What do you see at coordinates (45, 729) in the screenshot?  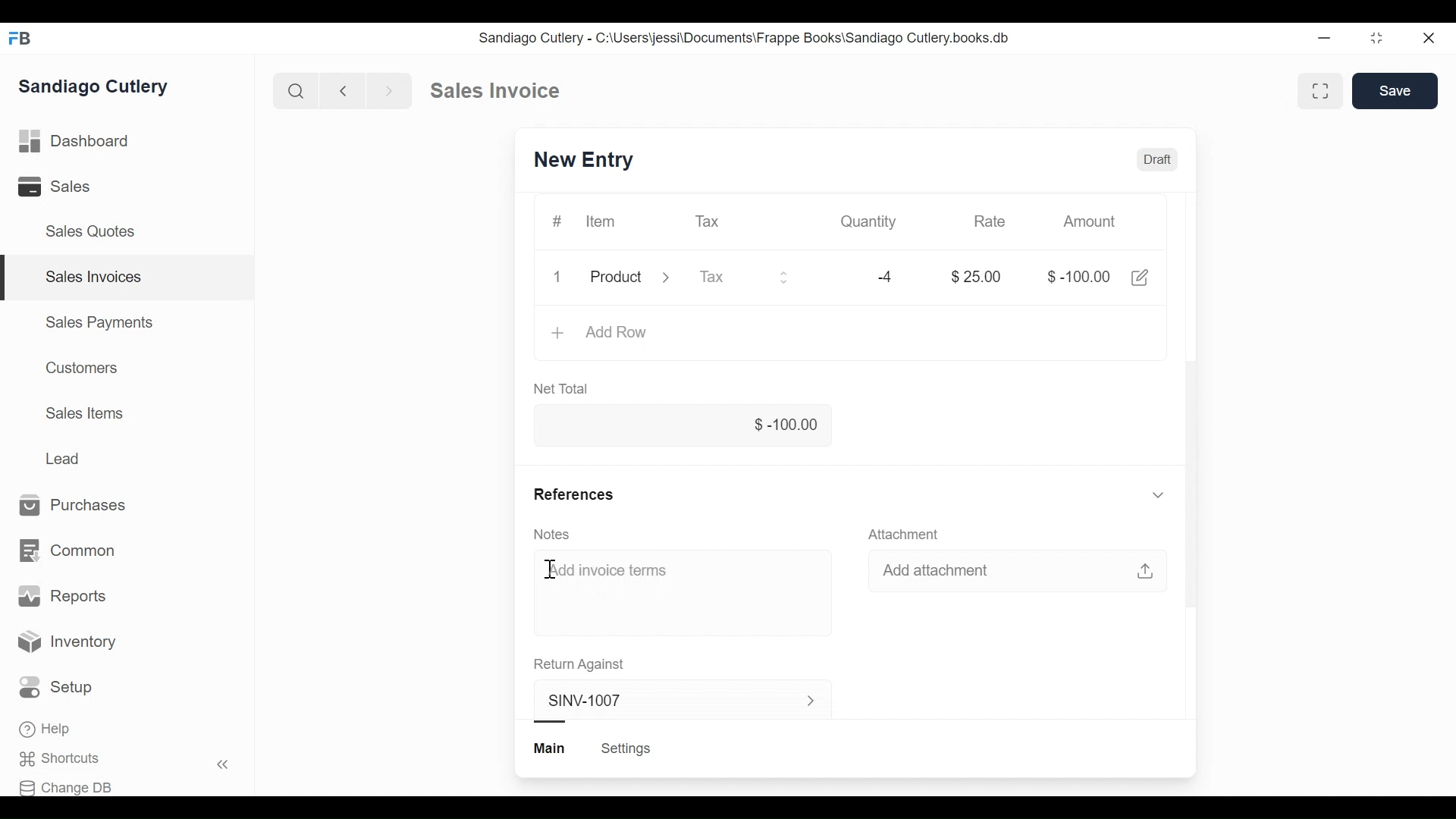 I see ` Help` at bounding box center [45, 729].